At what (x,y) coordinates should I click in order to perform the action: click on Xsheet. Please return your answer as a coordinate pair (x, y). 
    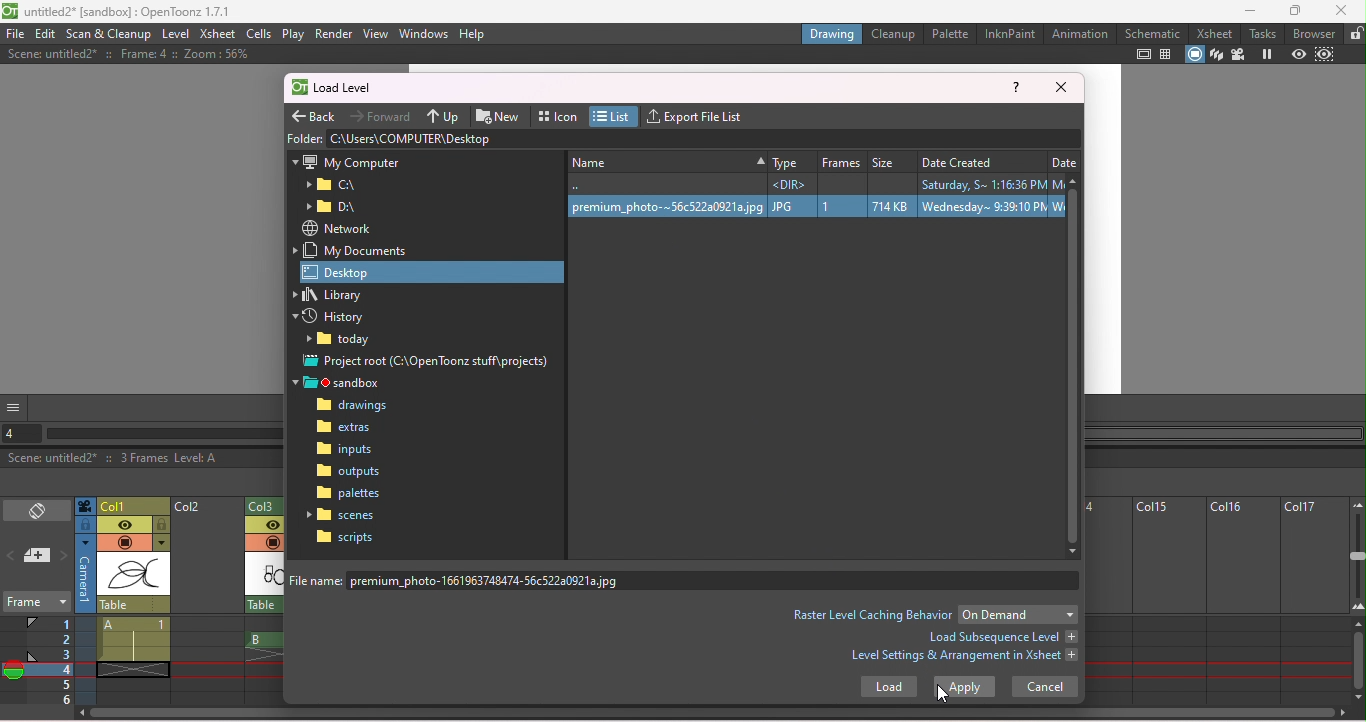
    Looking at the image, I should click on (1217, 33).